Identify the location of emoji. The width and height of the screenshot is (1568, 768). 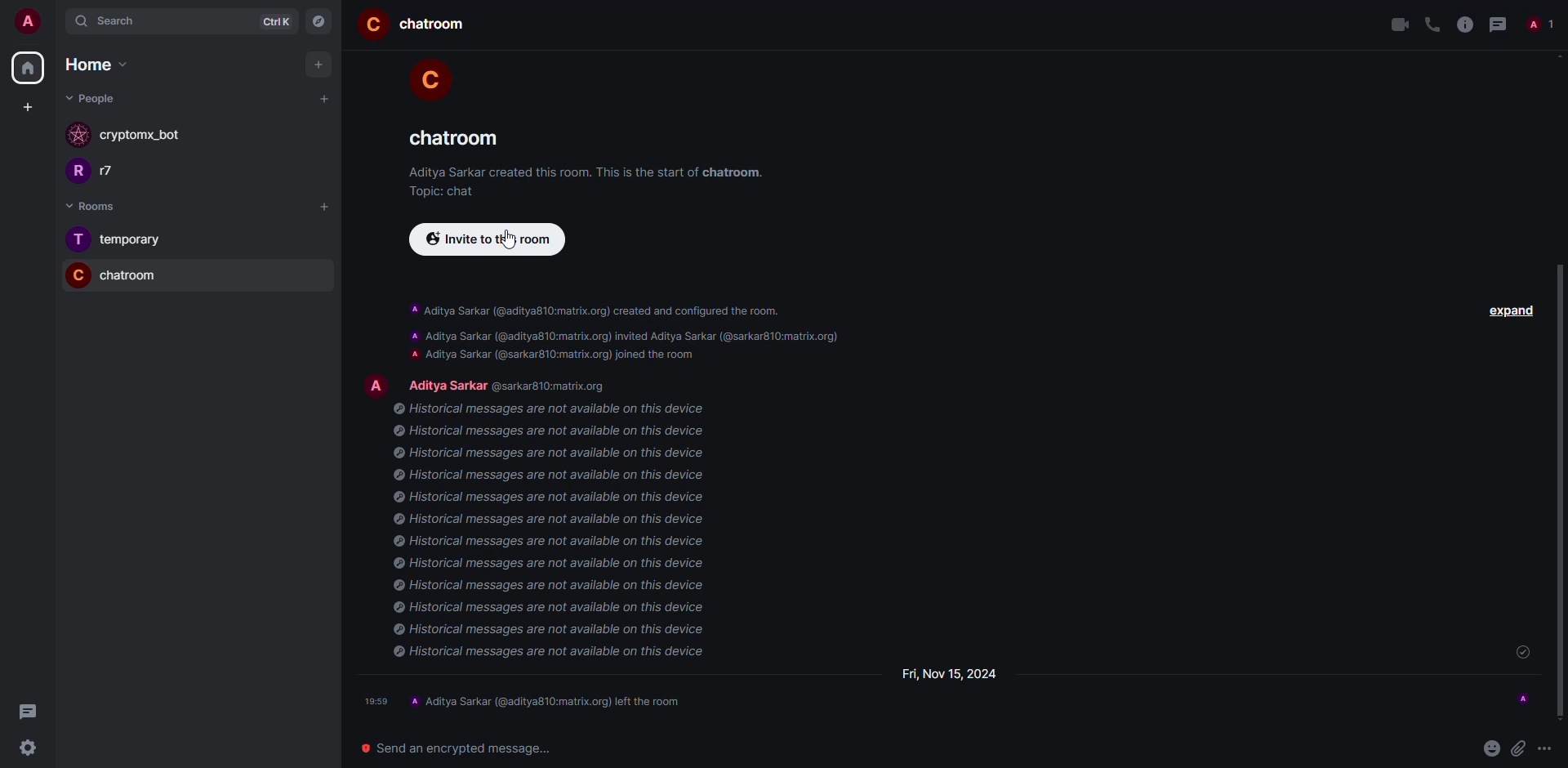
(1490, 747).